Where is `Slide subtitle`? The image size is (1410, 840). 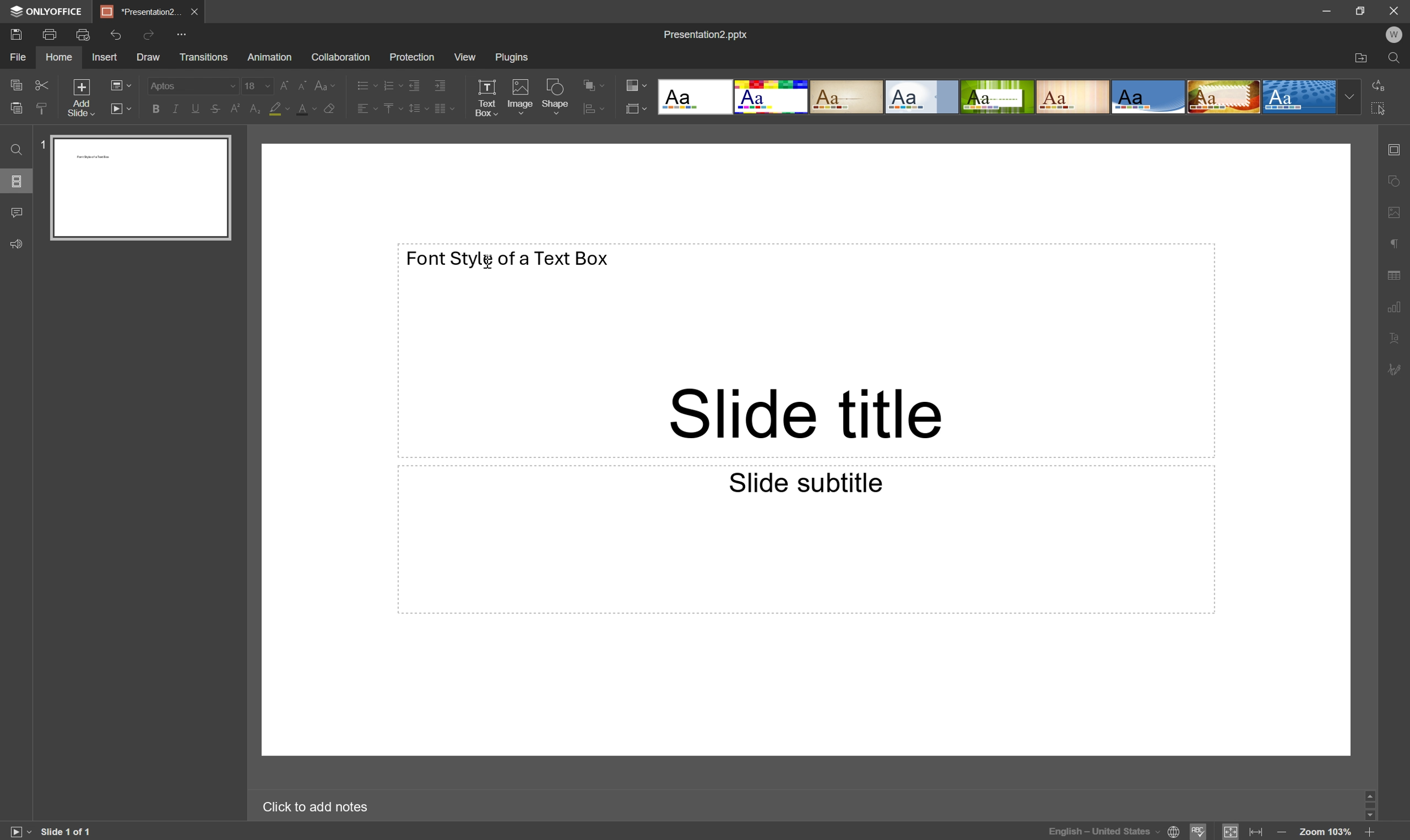
Slide subtitle is located at coordinates (804, 481).